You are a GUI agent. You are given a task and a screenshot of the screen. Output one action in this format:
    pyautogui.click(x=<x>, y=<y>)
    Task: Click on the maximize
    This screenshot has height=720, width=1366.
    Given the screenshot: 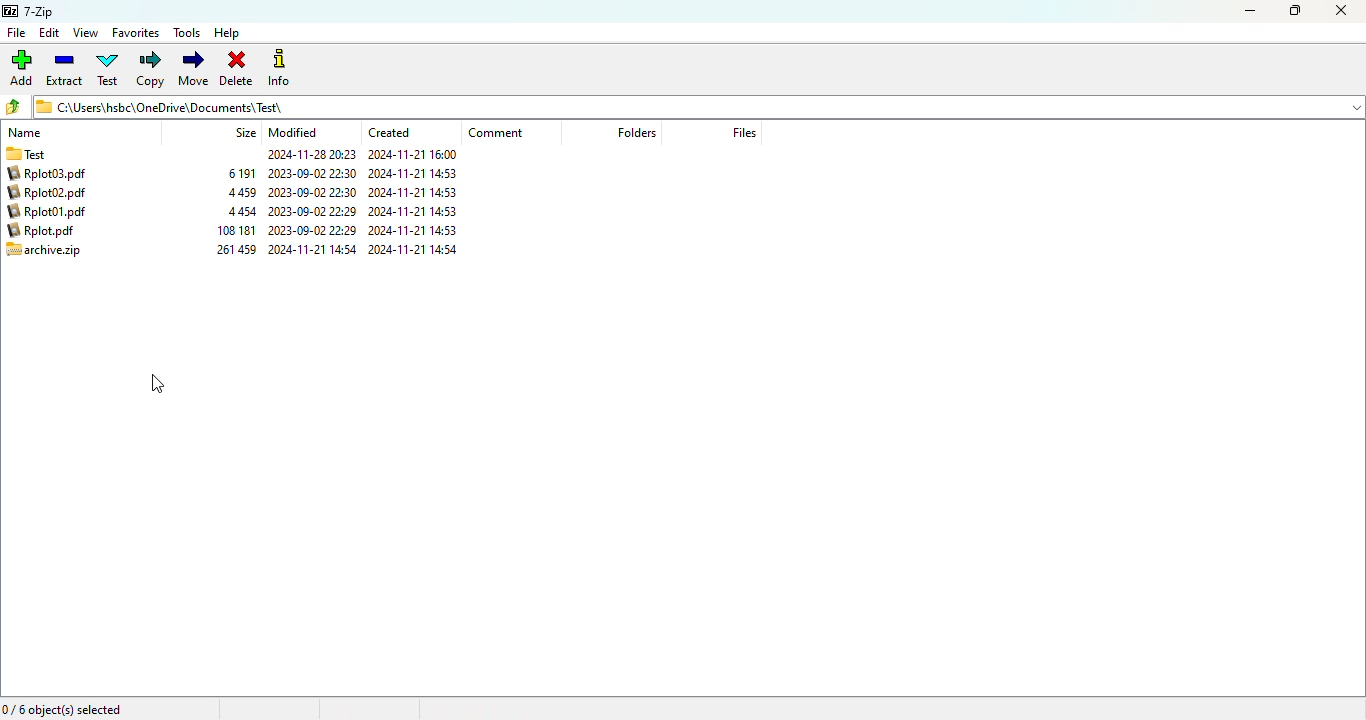 What is the action you would take?
    pyautogui.click(x=1295, y=11)
    